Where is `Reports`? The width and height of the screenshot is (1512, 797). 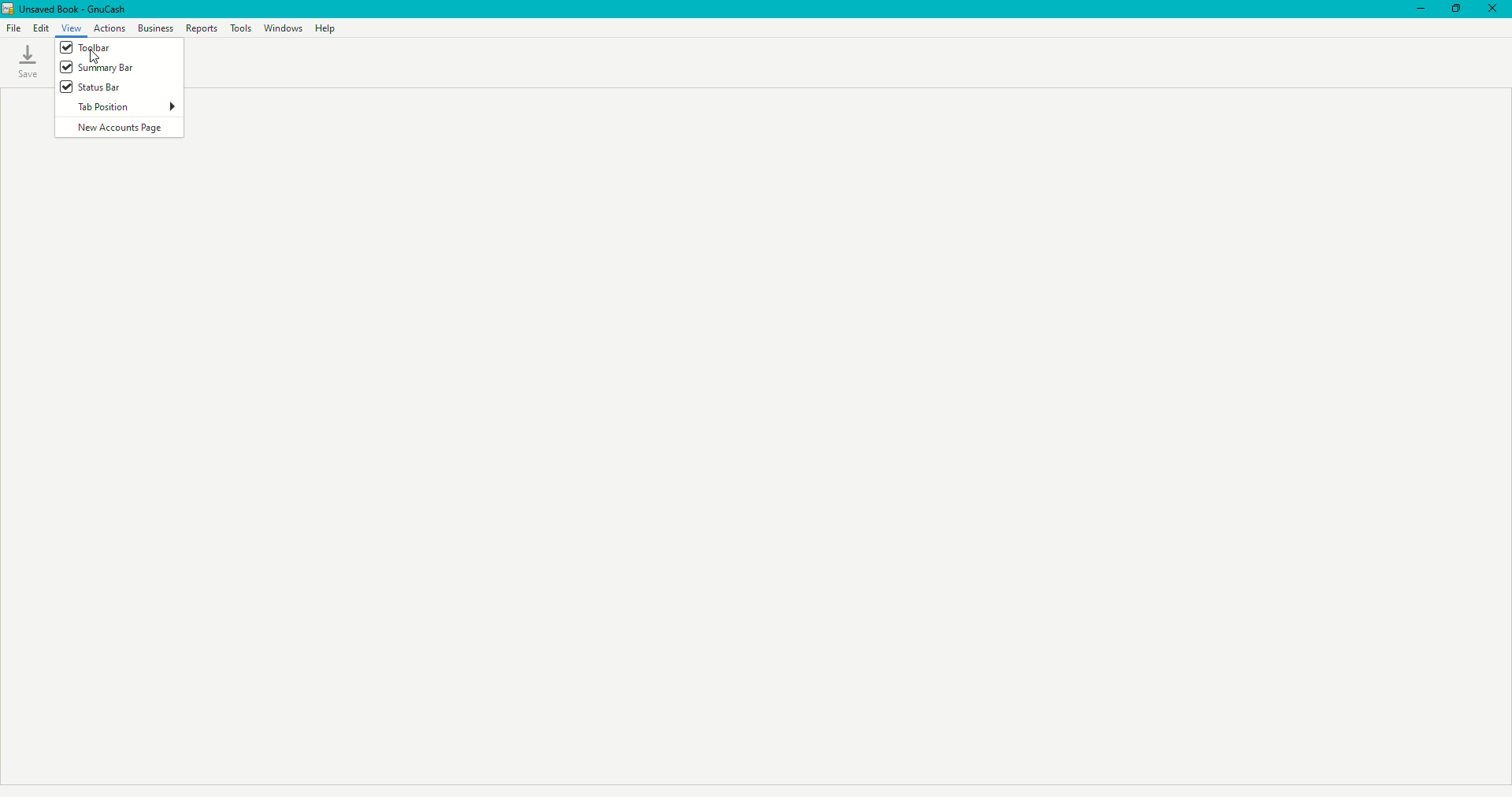
Reports is located at coordinates (202, 28).